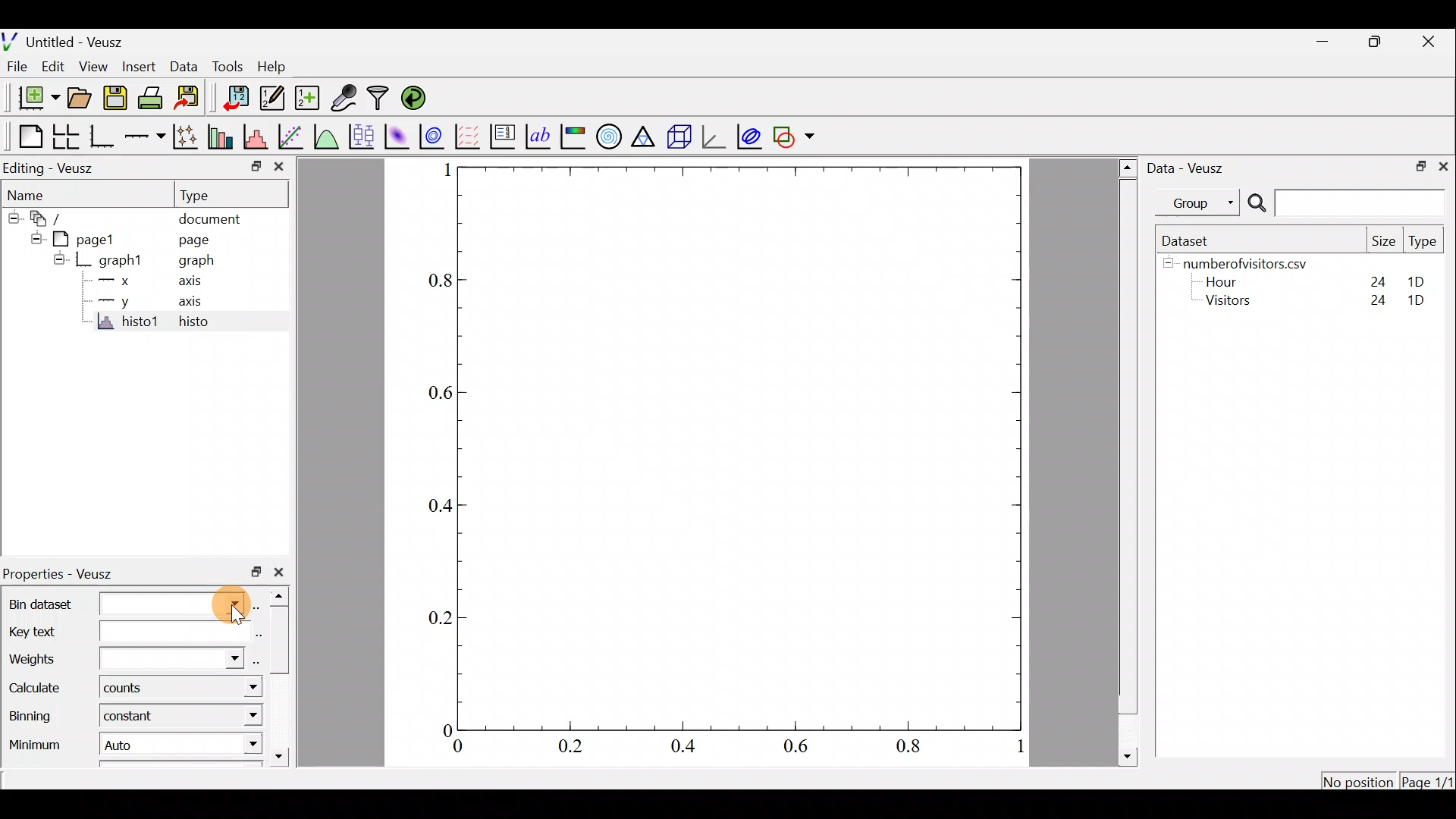 This screenshot has width=1456, height=819. What do you see at coordinates (282, 679) in the screenshot?
I see `scroll bar` at bounding box center [282, 679].